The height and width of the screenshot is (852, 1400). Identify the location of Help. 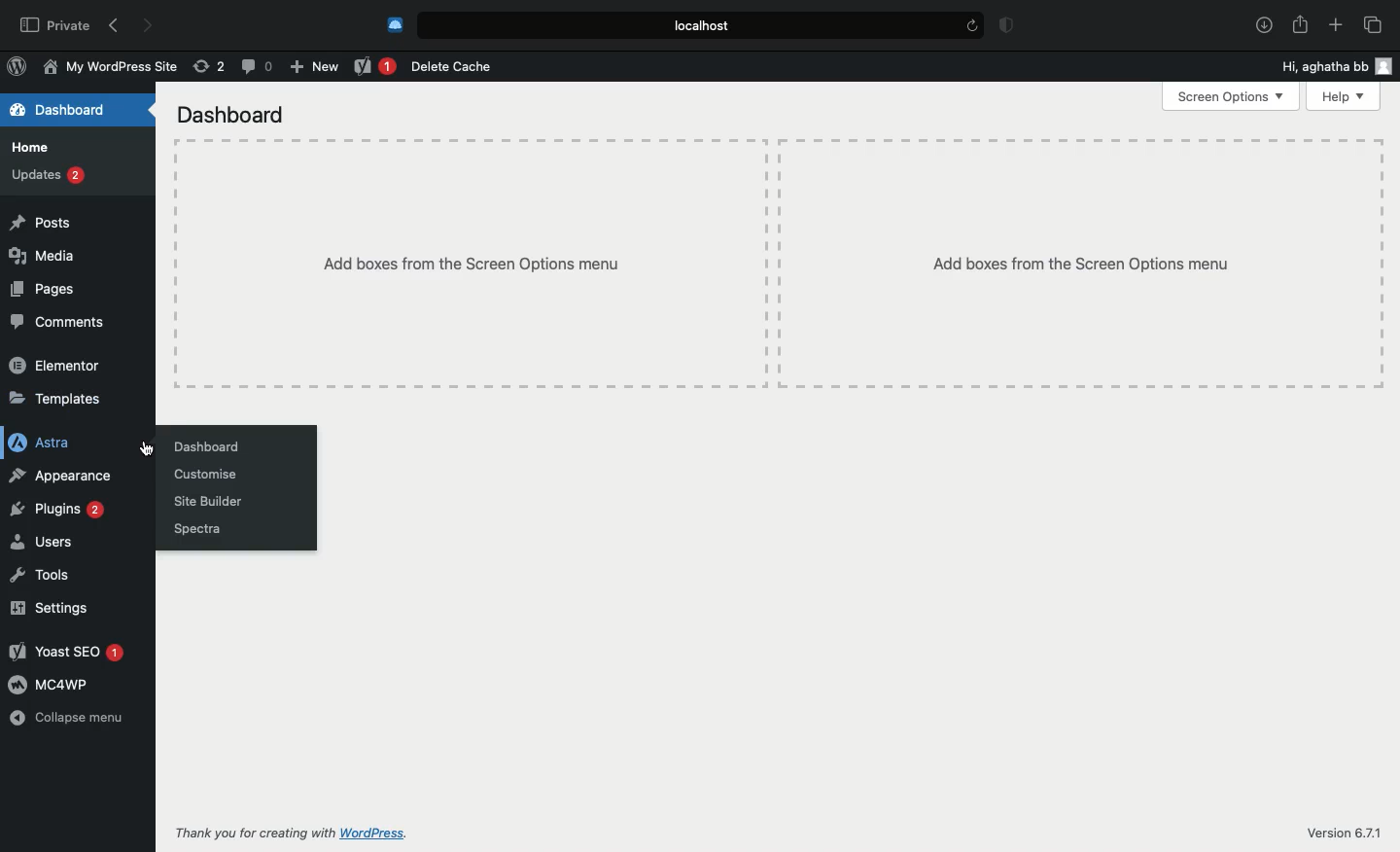
(1343, 96).